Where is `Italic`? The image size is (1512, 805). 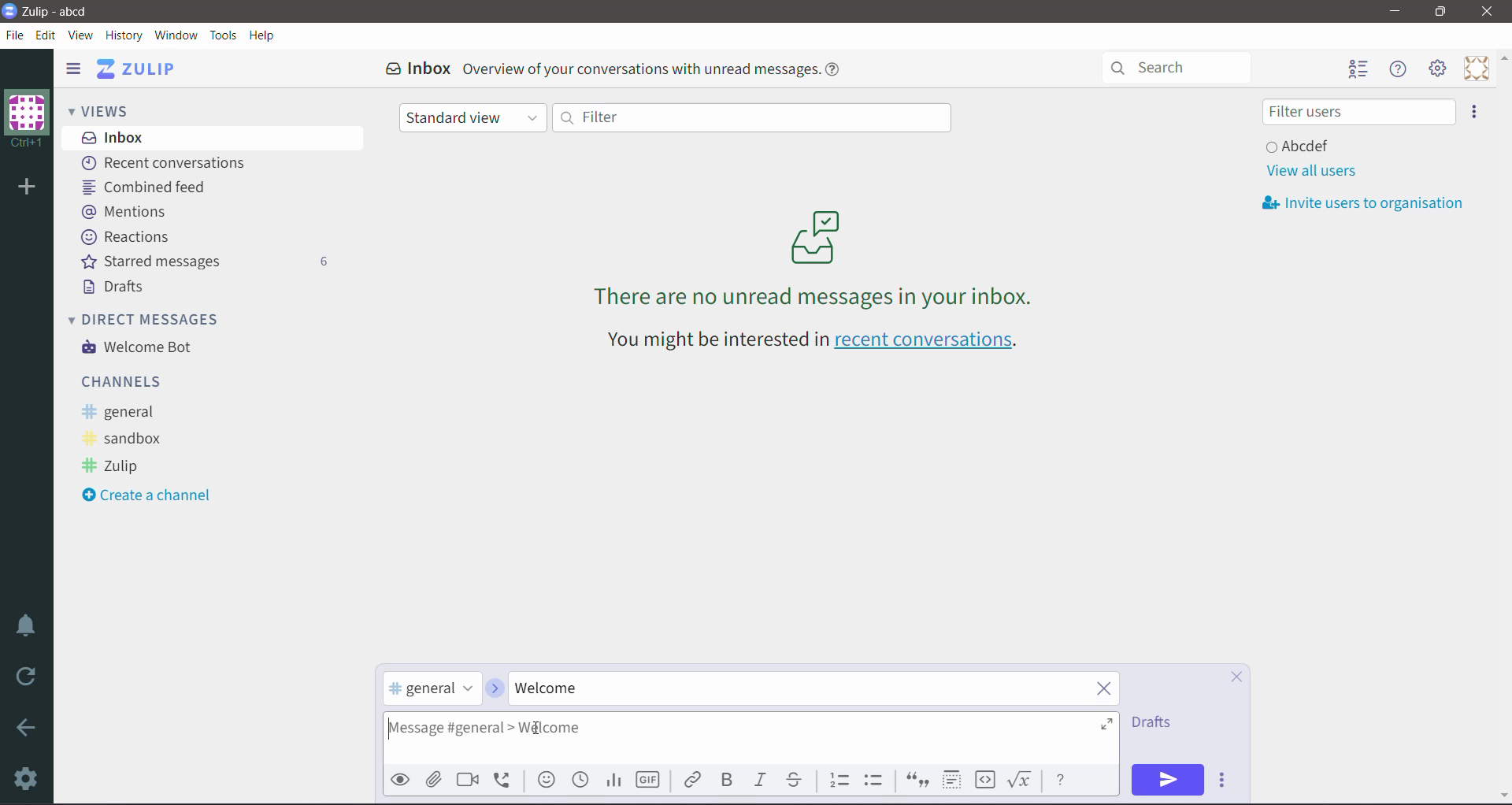
Italic is located at coordinates (759, 780).